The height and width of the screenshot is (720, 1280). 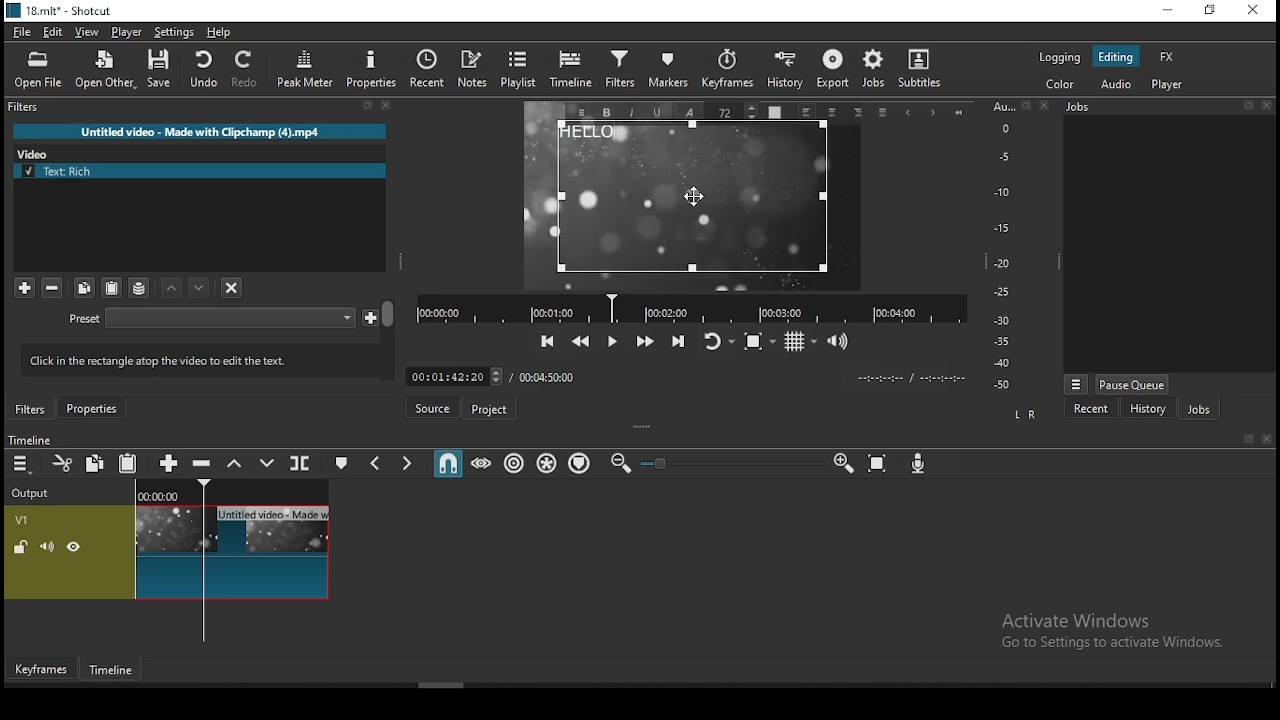 What do you see at coordinates (34, 490) in the screenshot?
I see `Output` at bounding box center [34, 490].